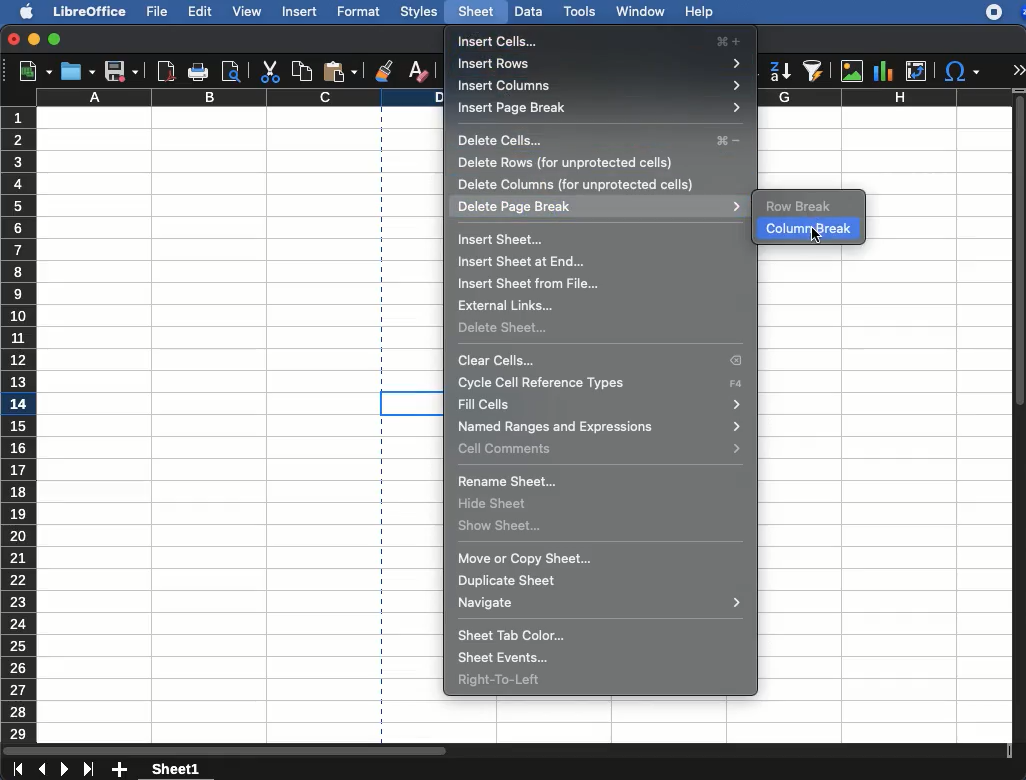  I want to click on edit, so click(199, 12).